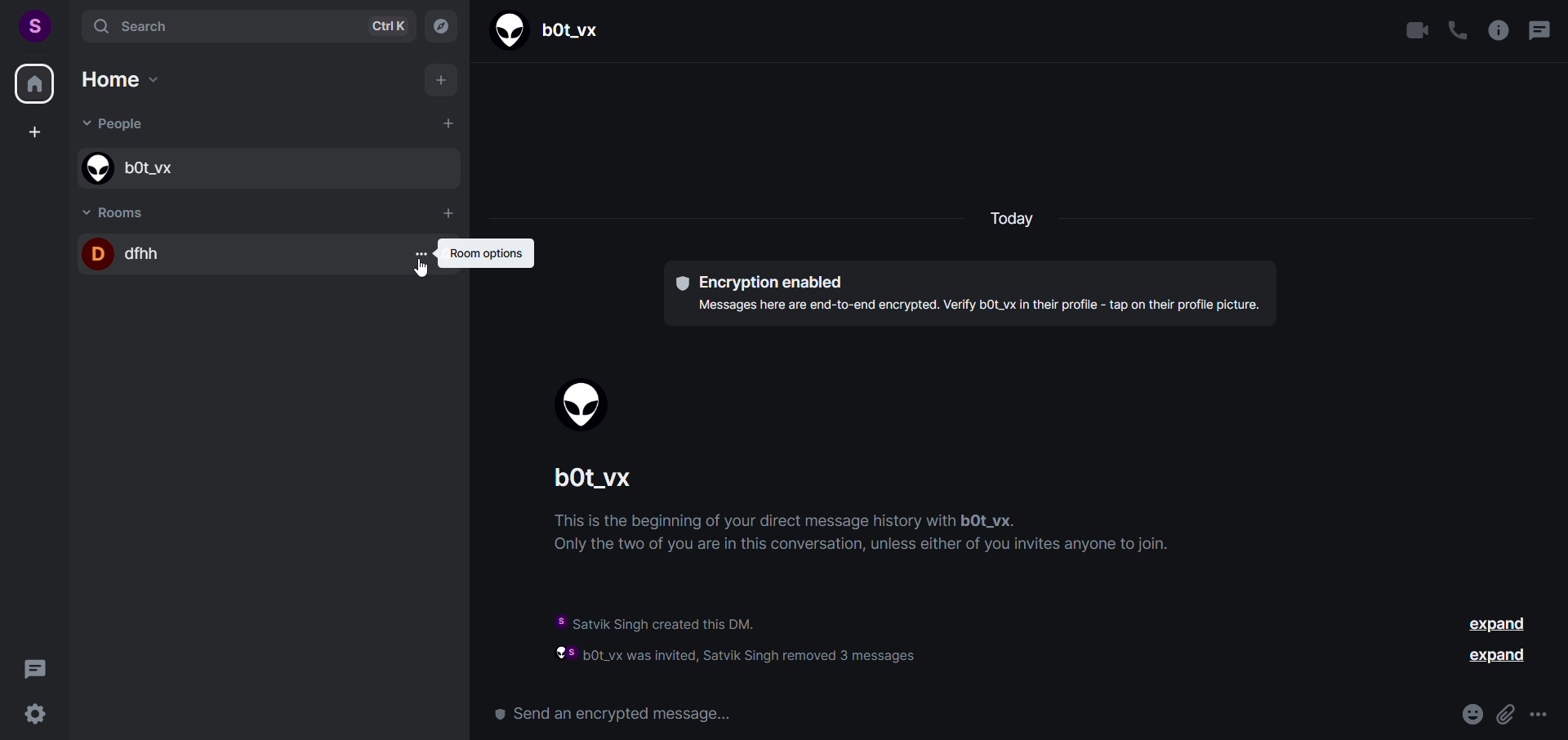  Describe the element at coordinates (34, 714) in the screenshot. I see `quick setting` at that location.